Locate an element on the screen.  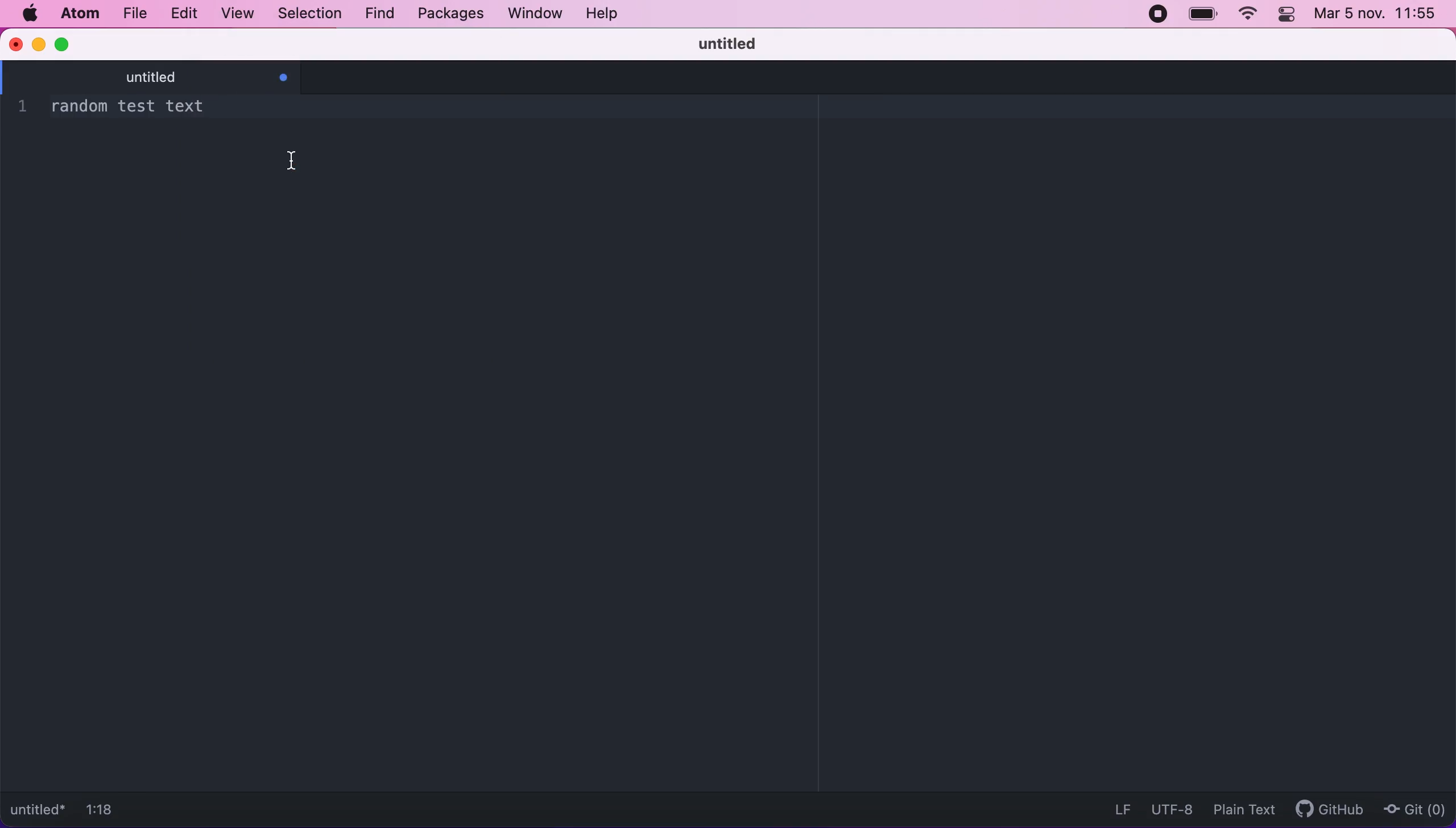
mac logo is located at coordinates (31, 13).